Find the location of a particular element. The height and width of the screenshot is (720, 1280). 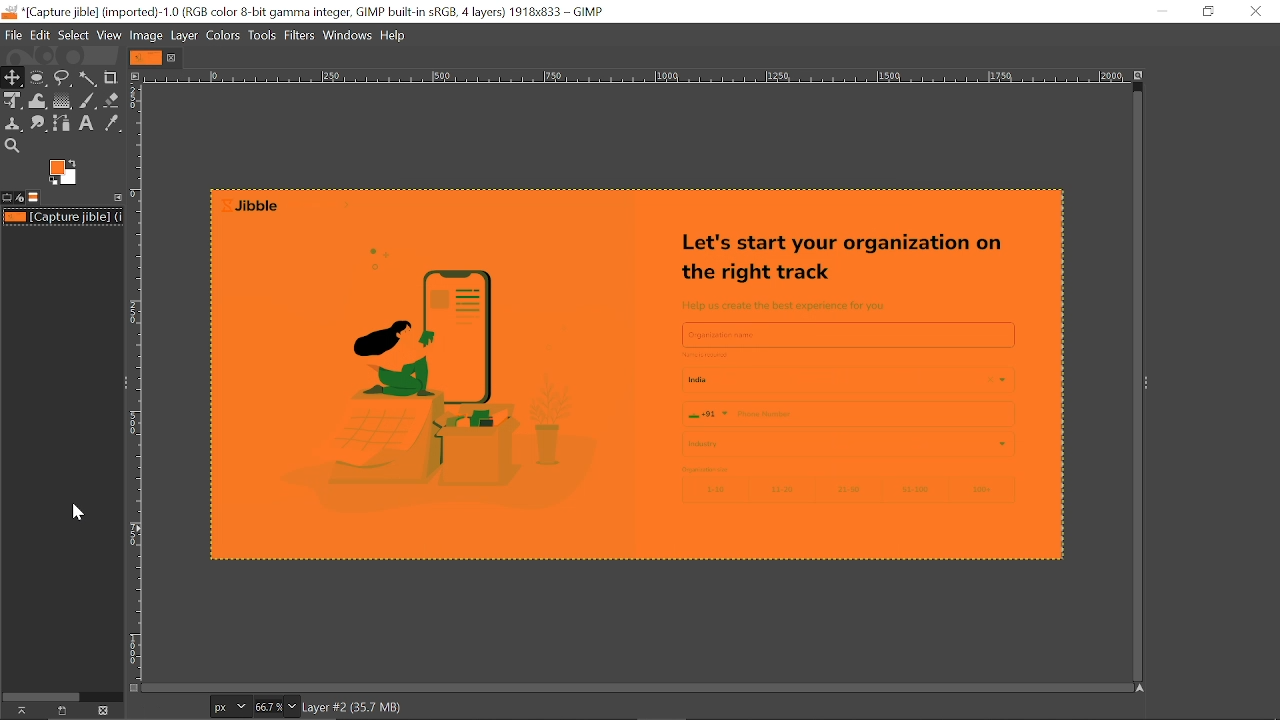

Smudge tool is located at coordinates (40, 124).